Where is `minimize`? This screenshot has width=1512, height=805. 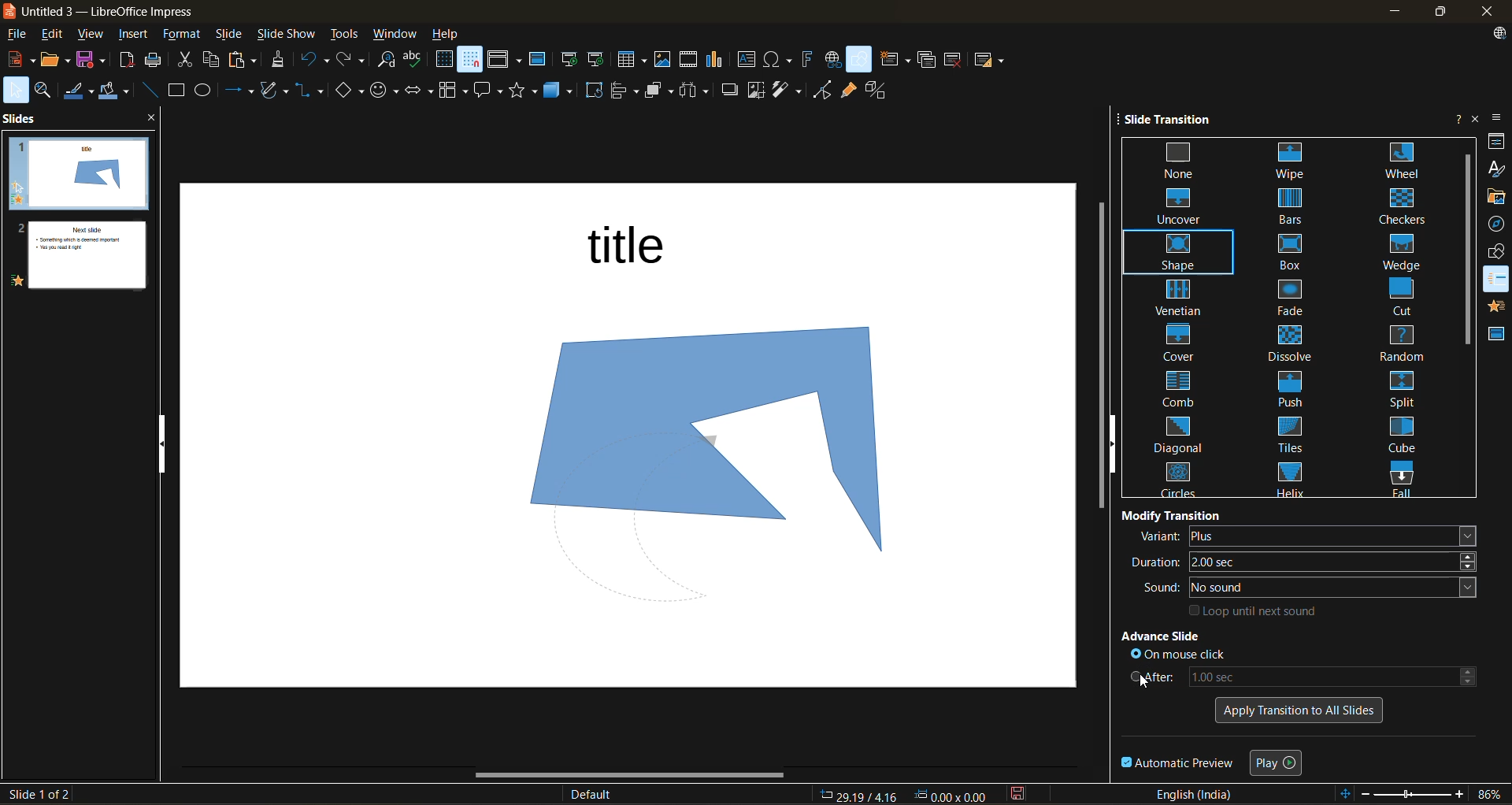 minimize is located at coordinates (1399, 9).